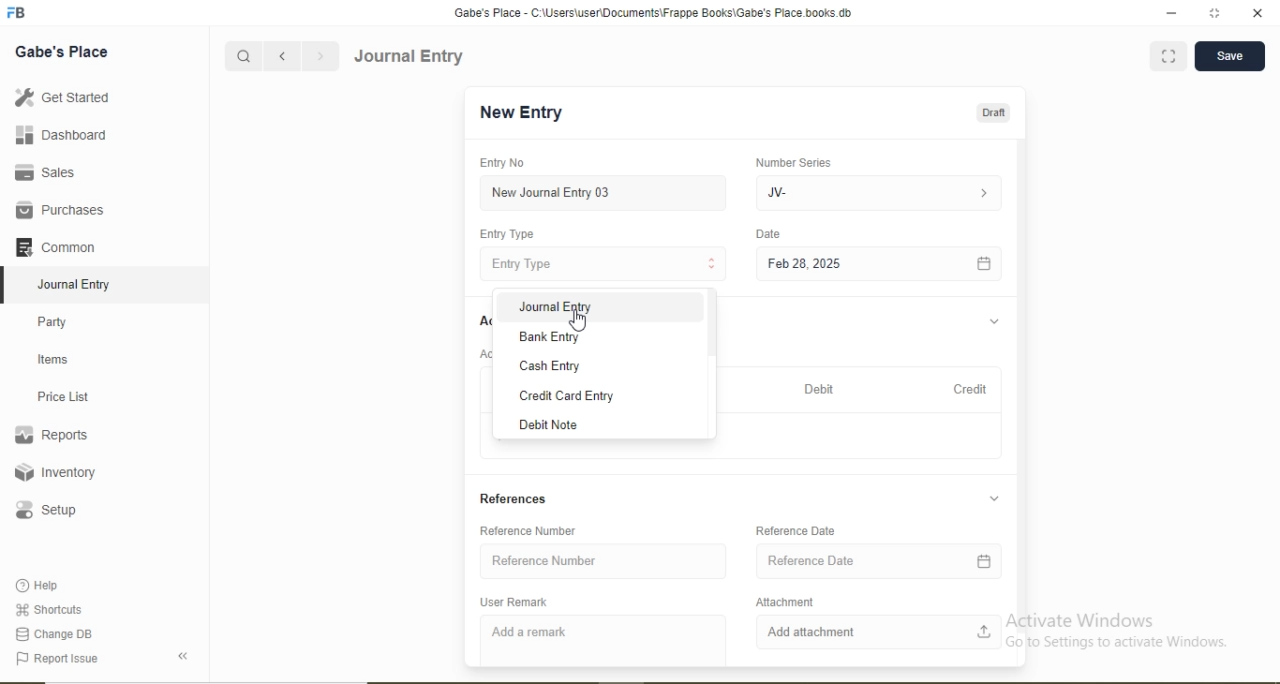 The height and width of the screenshot is (684, 1280). What do you see at coordinates (52, 635) in the screenshot?
I see `Change DB` at bounding box center [52, 635].